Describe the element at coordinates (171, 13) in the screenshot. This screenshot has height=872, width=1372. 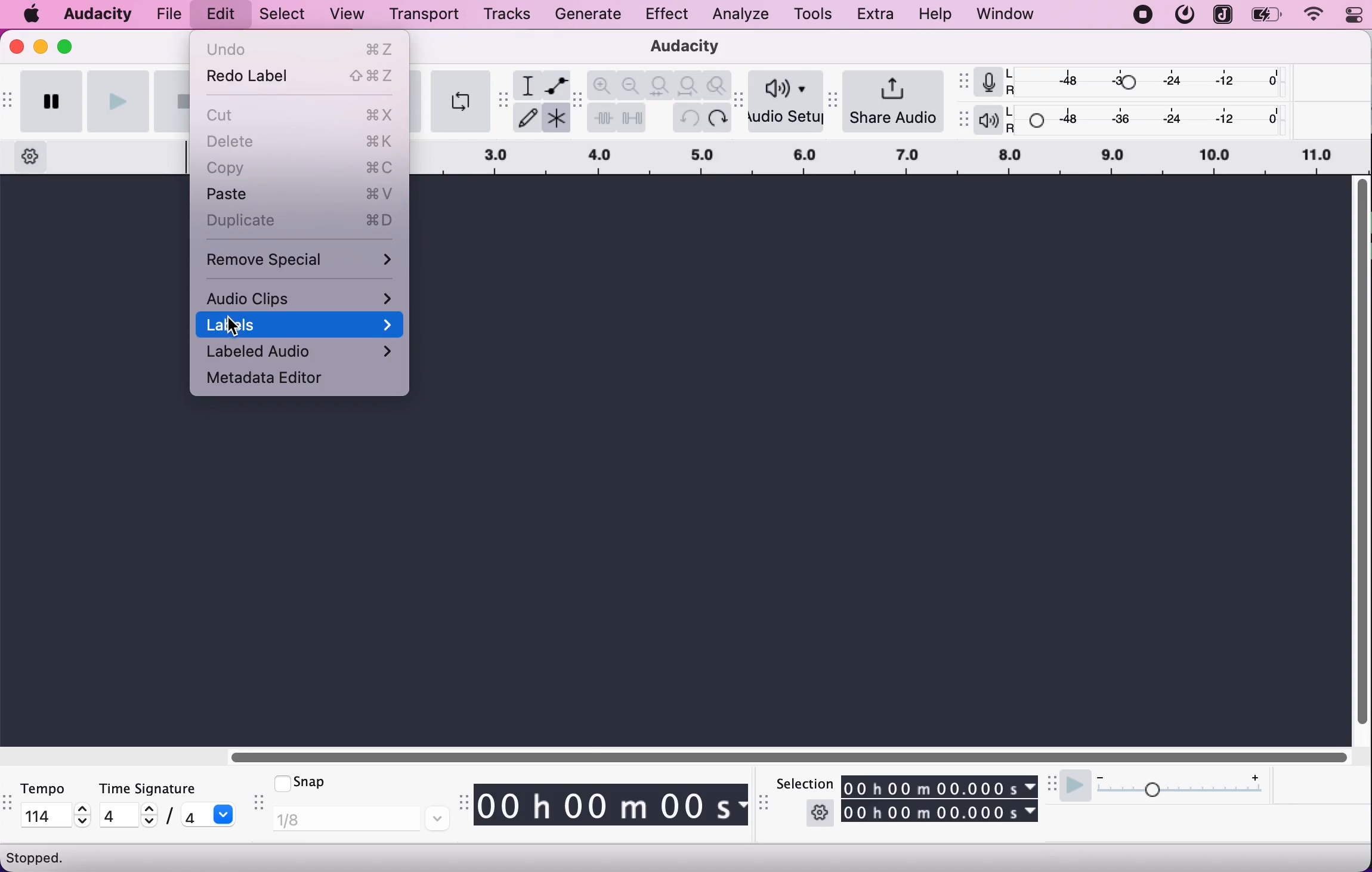
I see `file` at that location.